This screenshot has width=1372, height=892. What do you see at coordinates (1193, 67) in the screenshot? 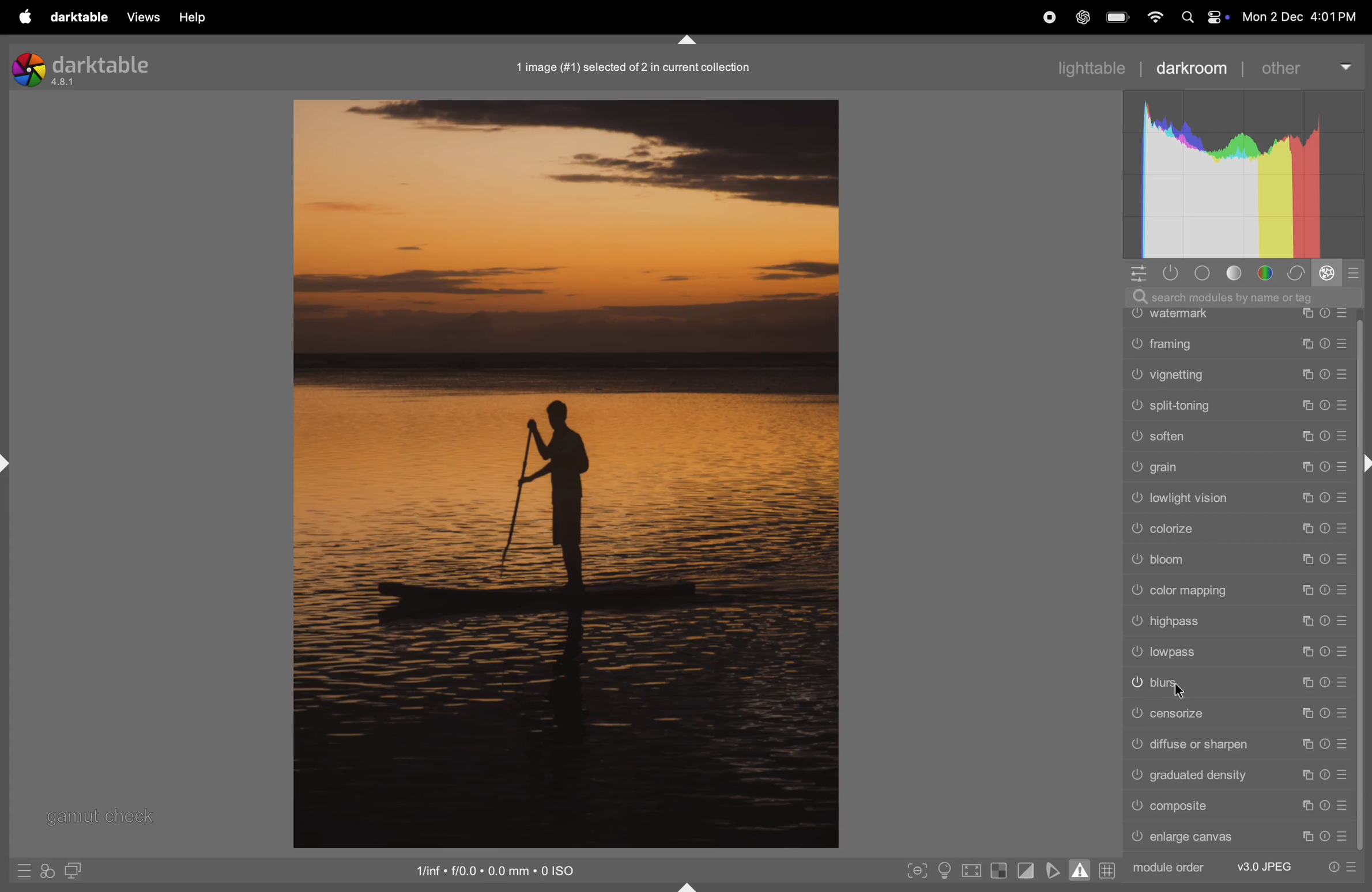
I see `darkroom` at bounding box center [1193, 67].